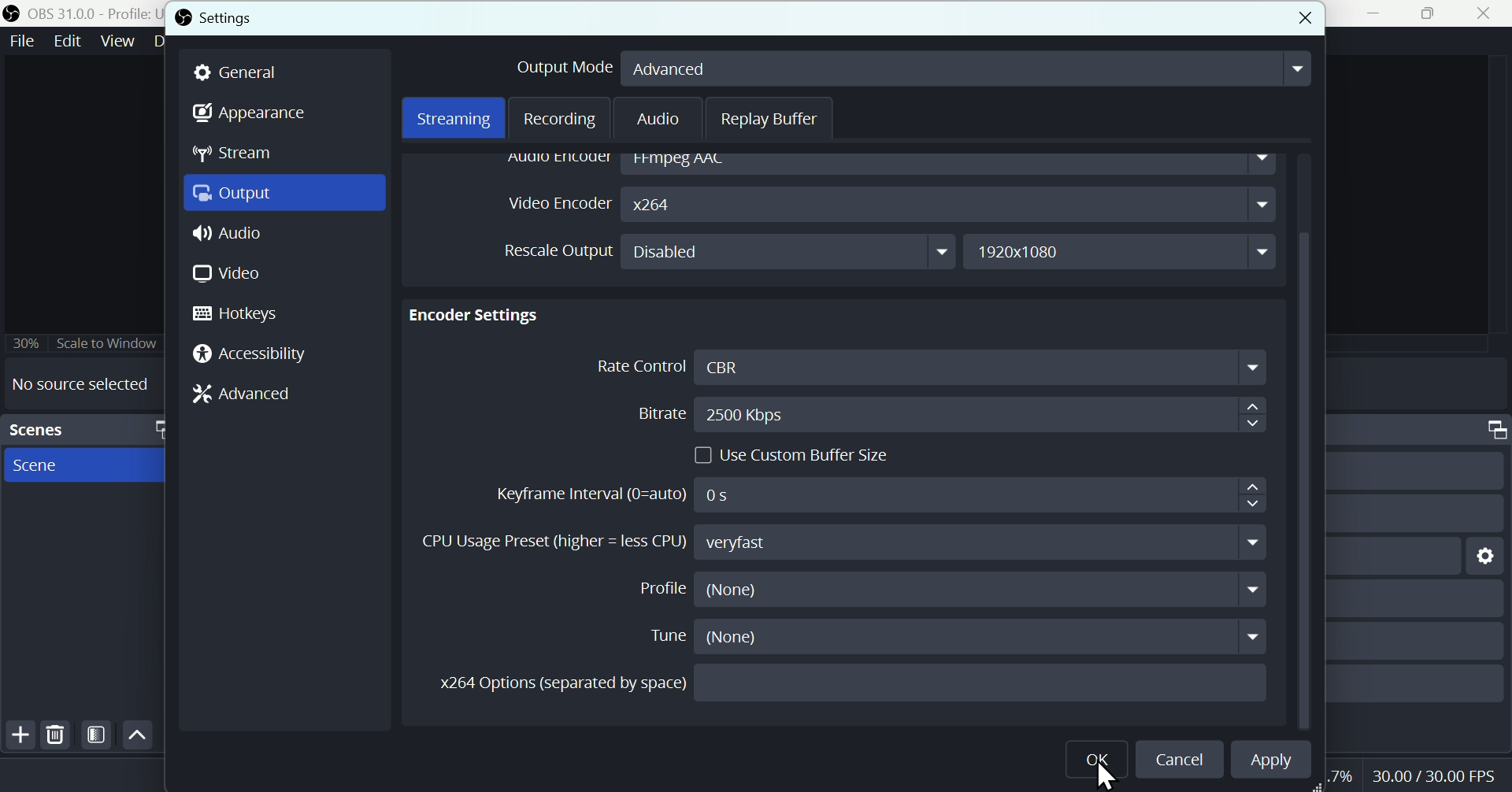 Image resolution: width=1512 pixels, height=792 pixels. I want to click on Output, so click(286, 194).